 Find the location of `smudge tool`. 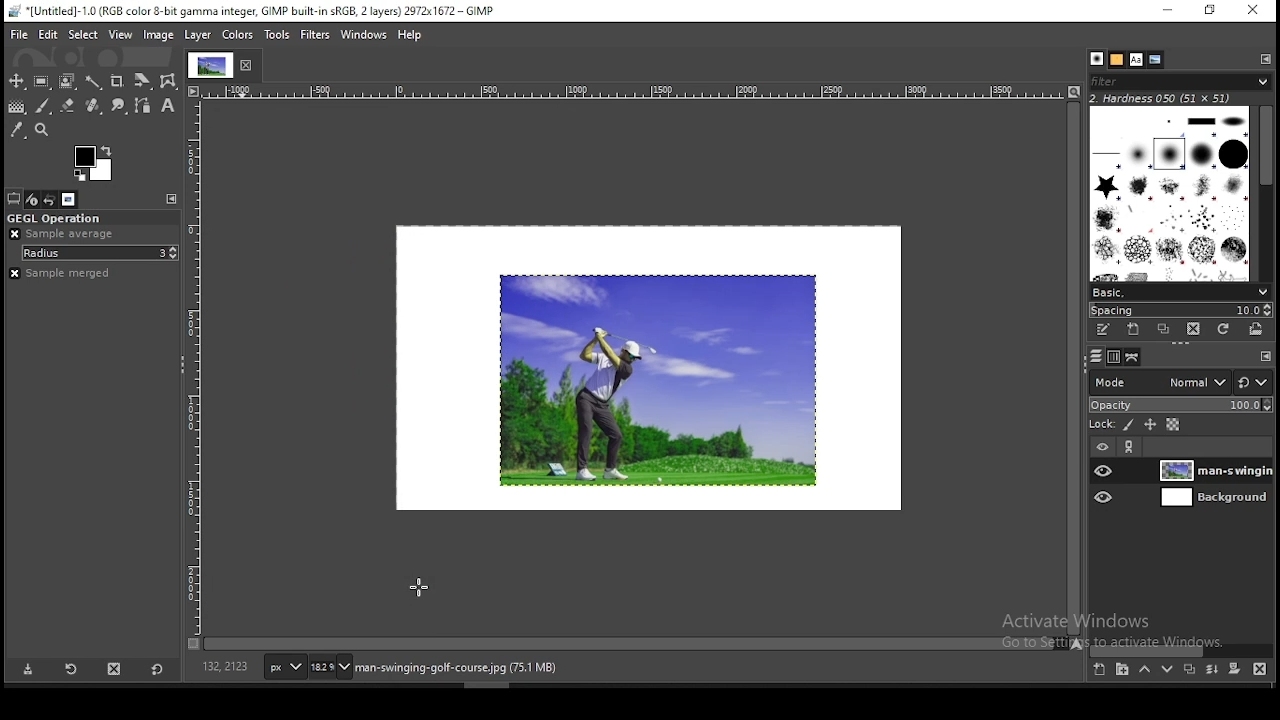

smudge tool is located at coordinates (124, 106).